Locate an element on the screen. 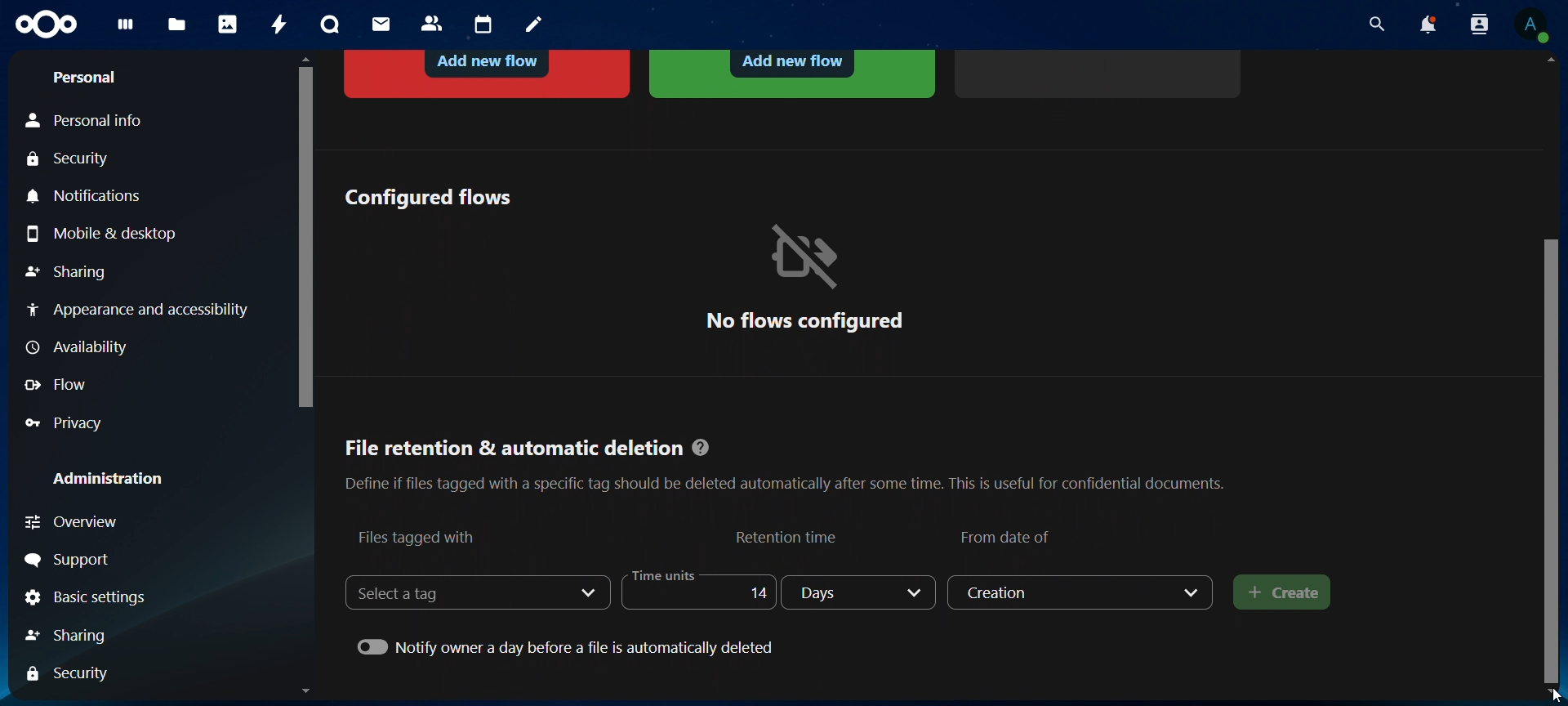 This screenshot has height=706, width=1568. contacts is located at coordinates (433, 25).